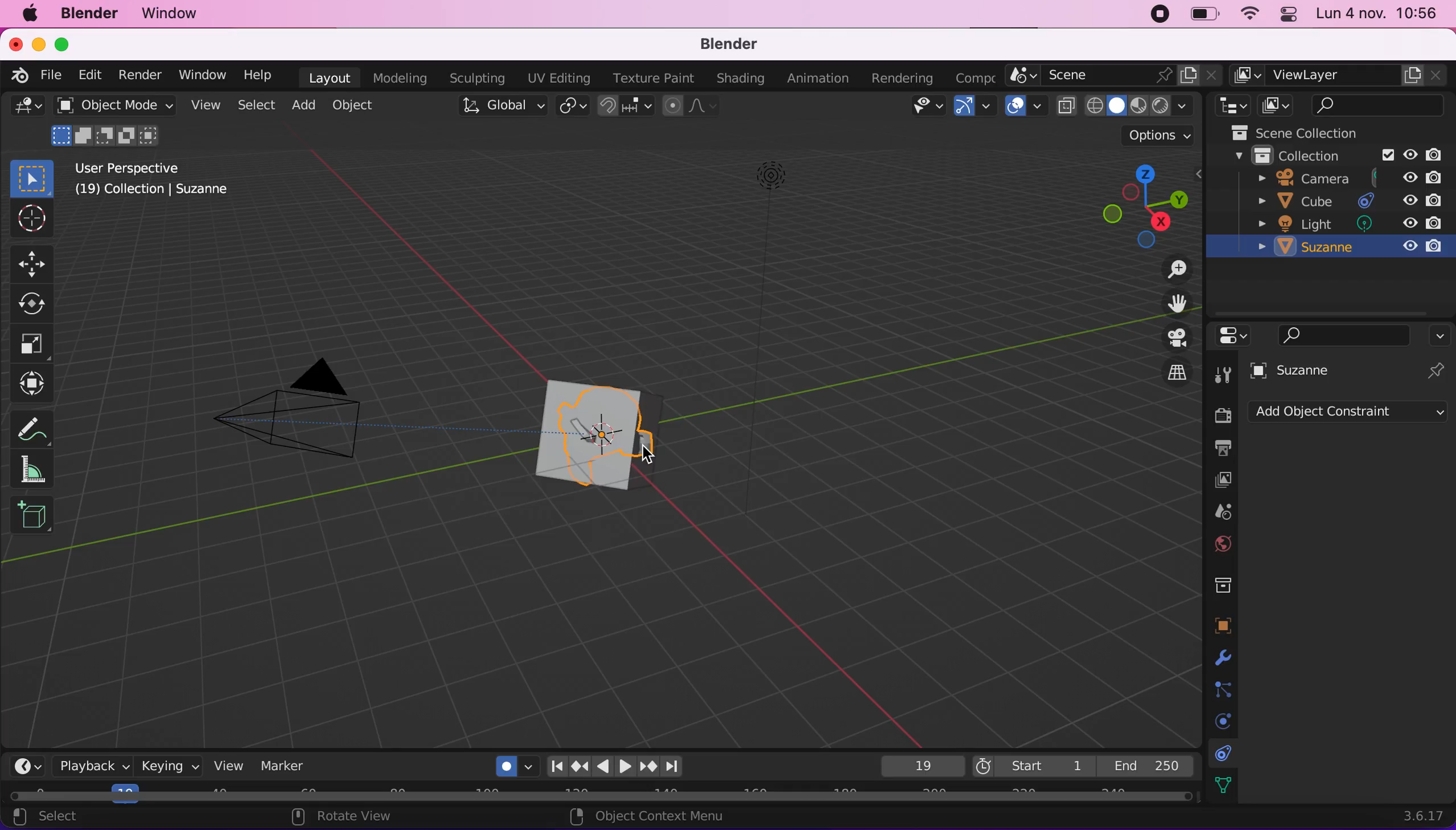  What do you see at coordinates (39, 43) in the screenshot?
I see `minimize` at bounding box center [39, 43].